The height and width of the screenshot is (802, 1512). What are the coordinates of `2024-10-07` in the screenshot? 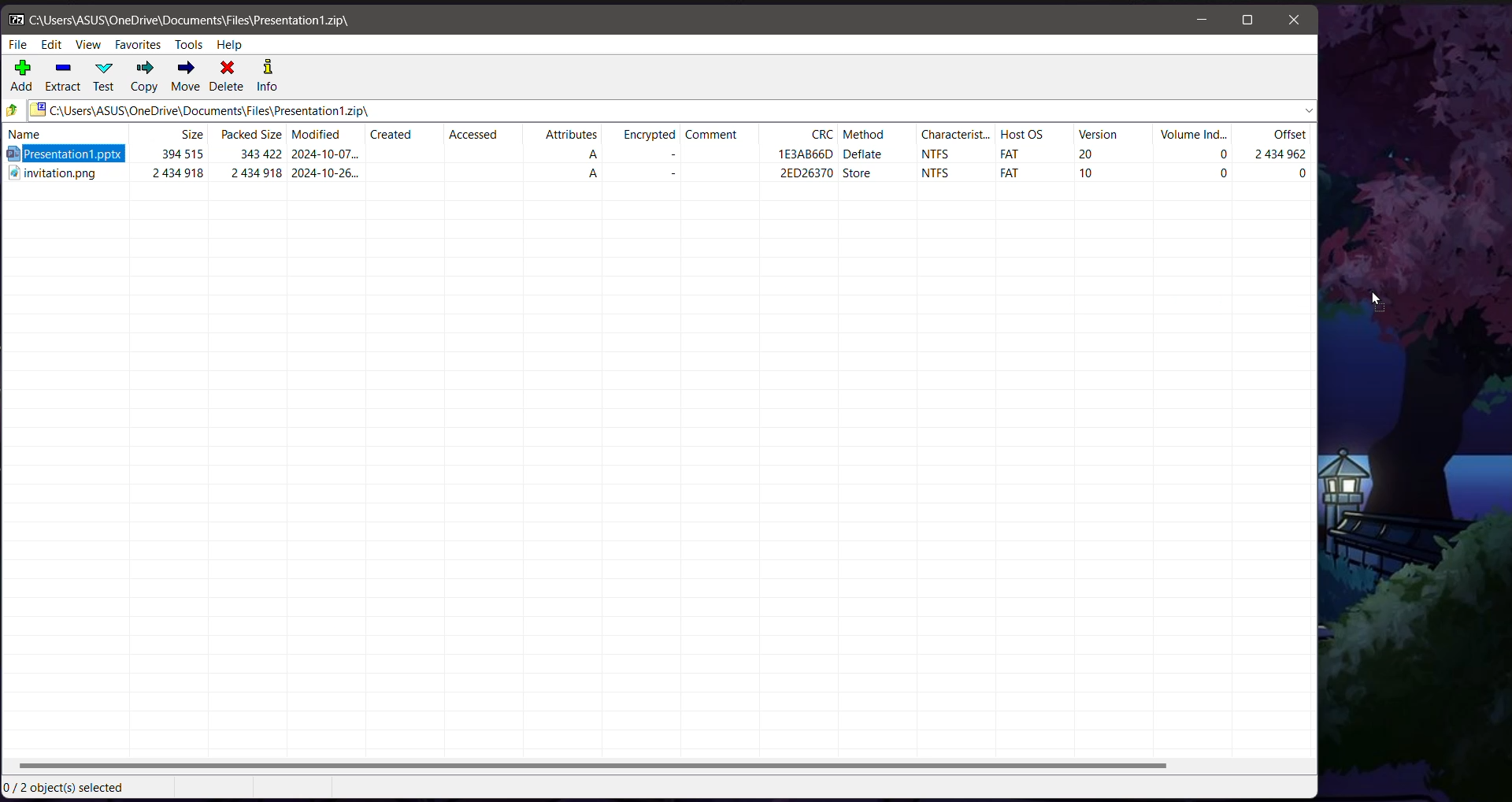 It's located at (325, 154).